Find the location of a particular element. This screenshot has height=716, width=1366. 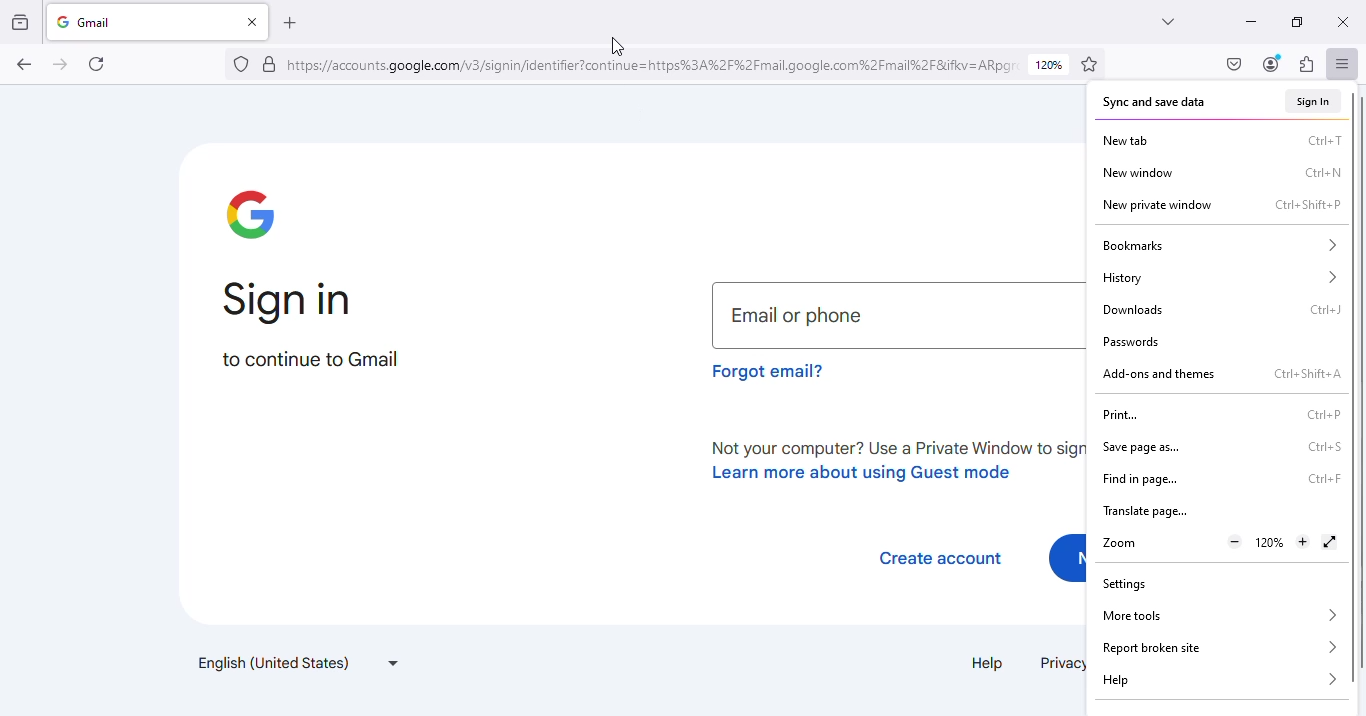

vertical scroll bar is located at coordinates (1354, 388).